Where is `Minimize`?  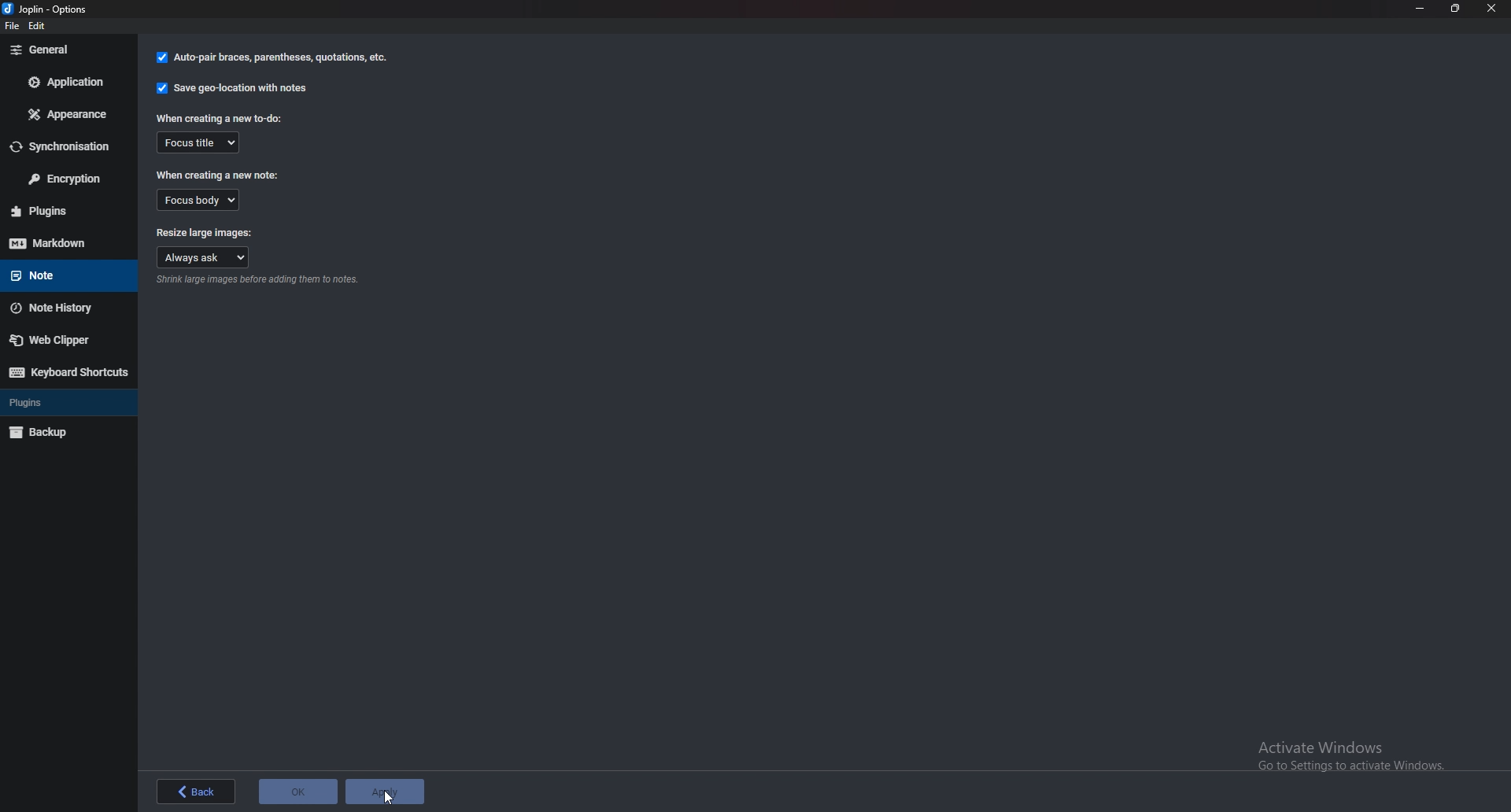
Minimize is located at coordinates (1420, 8).